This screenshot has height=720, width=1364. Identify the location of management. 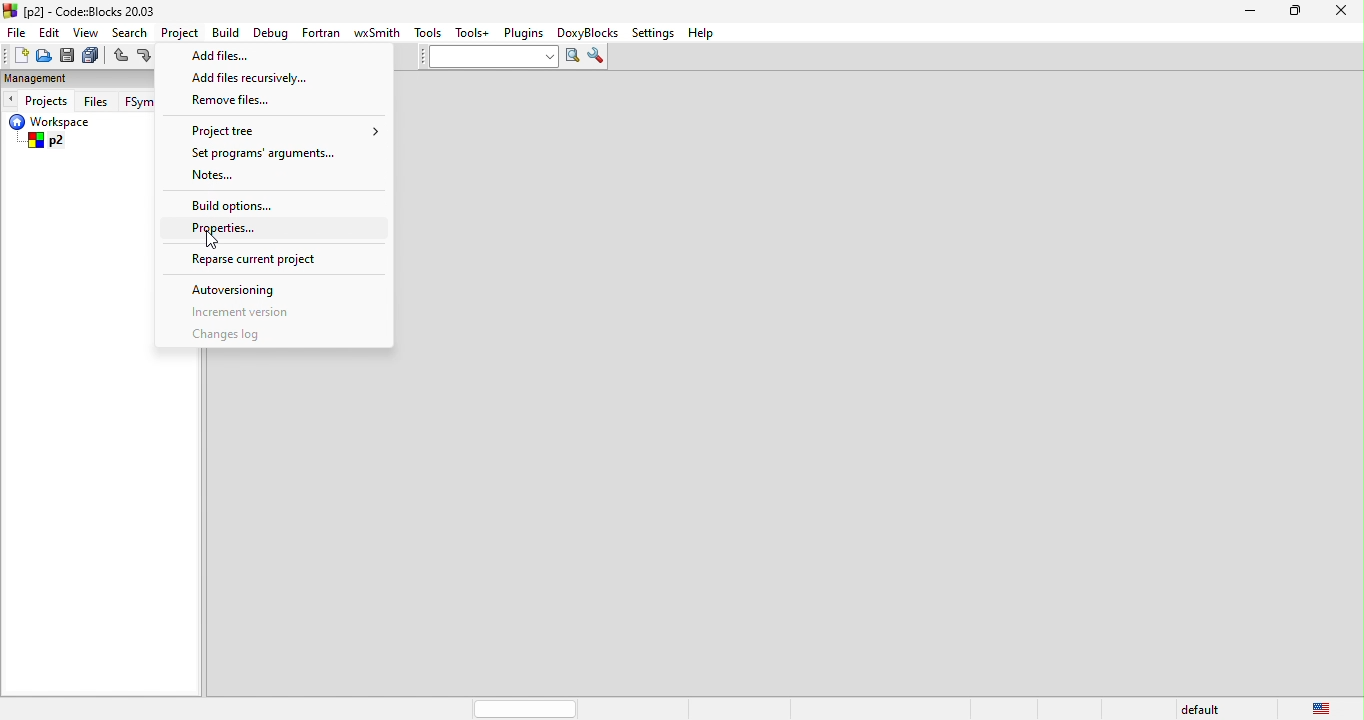
(51, 78).